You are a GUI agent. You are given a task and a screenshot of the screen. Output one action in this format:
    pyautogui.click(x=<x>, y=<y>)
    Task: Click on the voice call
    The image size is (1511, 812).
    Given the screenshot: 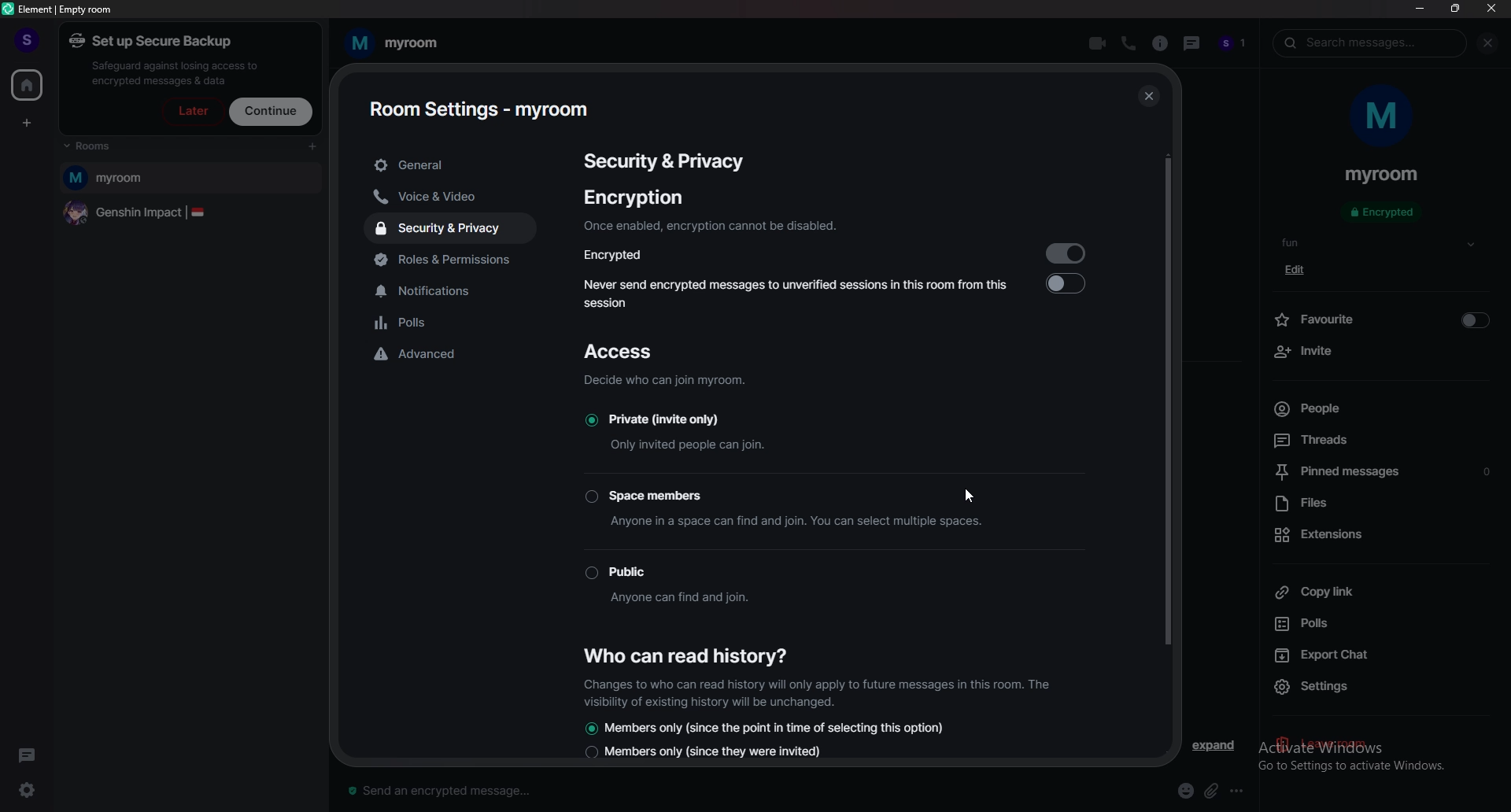 What is the action you would take?
    pyautogui.click(x=1129, y=44)
    